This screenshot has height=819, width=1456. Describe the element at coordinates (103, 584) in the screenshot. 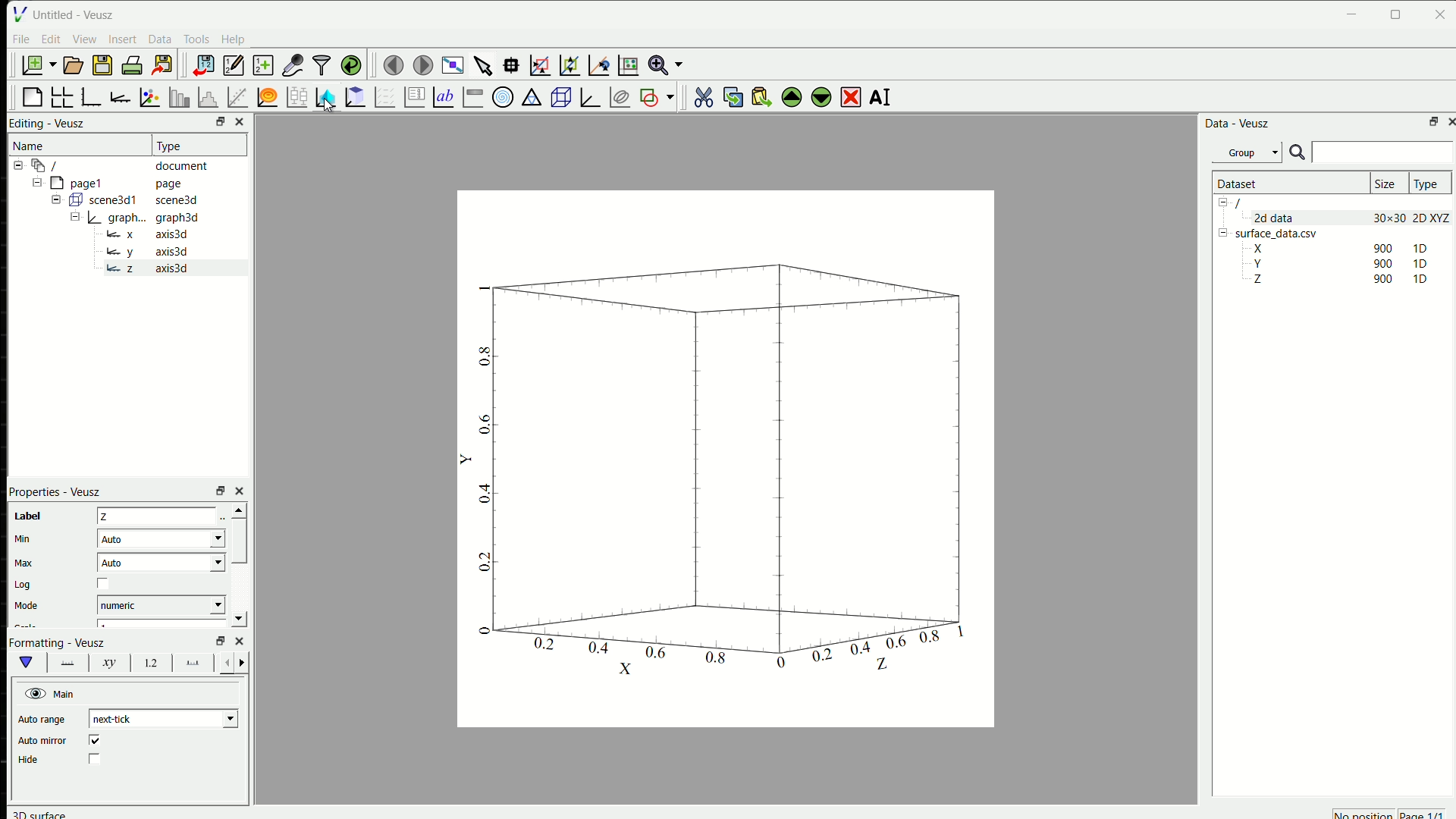

I see `checkbox` at that location.